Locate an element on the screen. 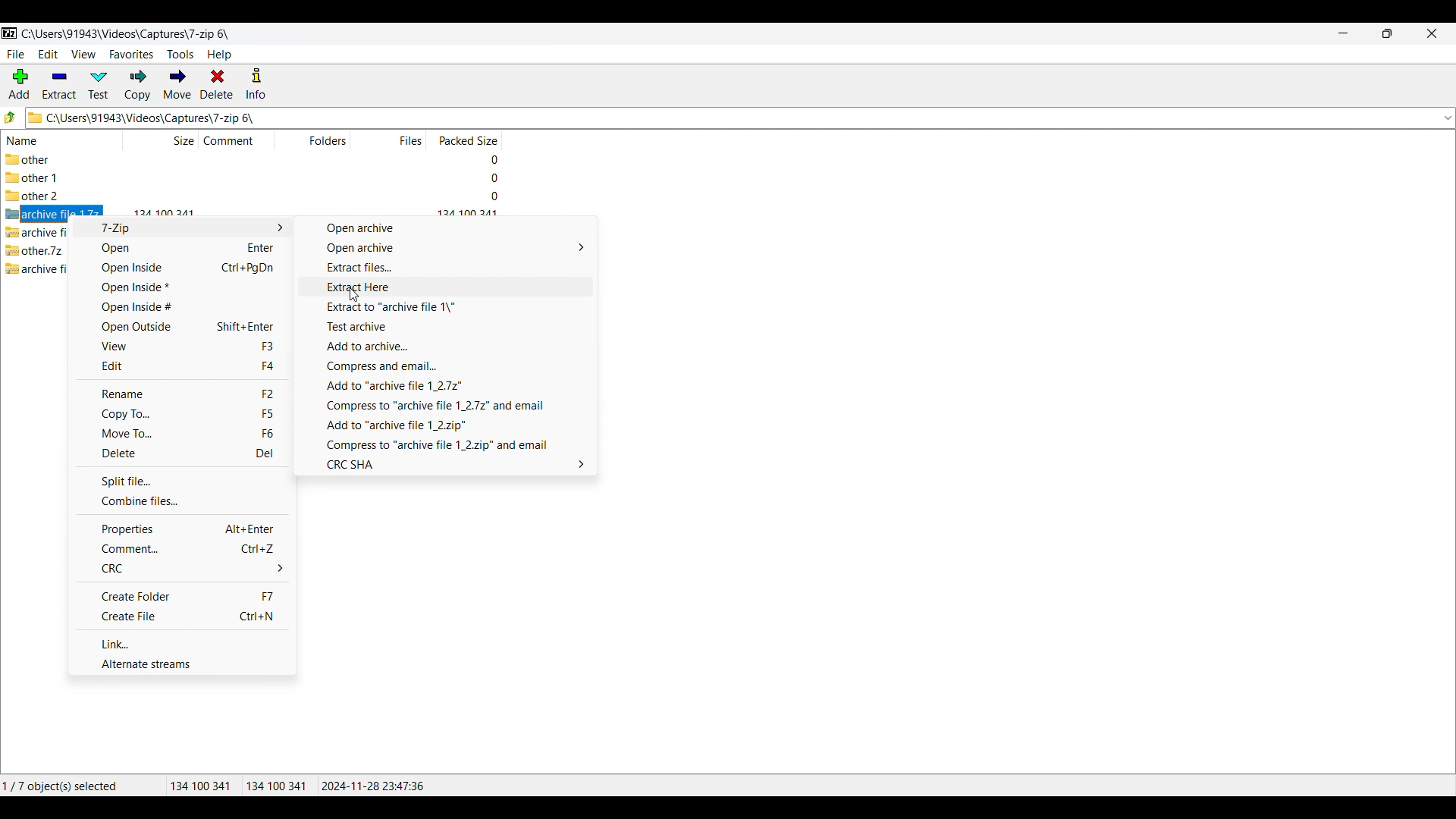  C:\Users\91943\Videos\Captures\7-zip 6\ is located at coordinates (725, 118).